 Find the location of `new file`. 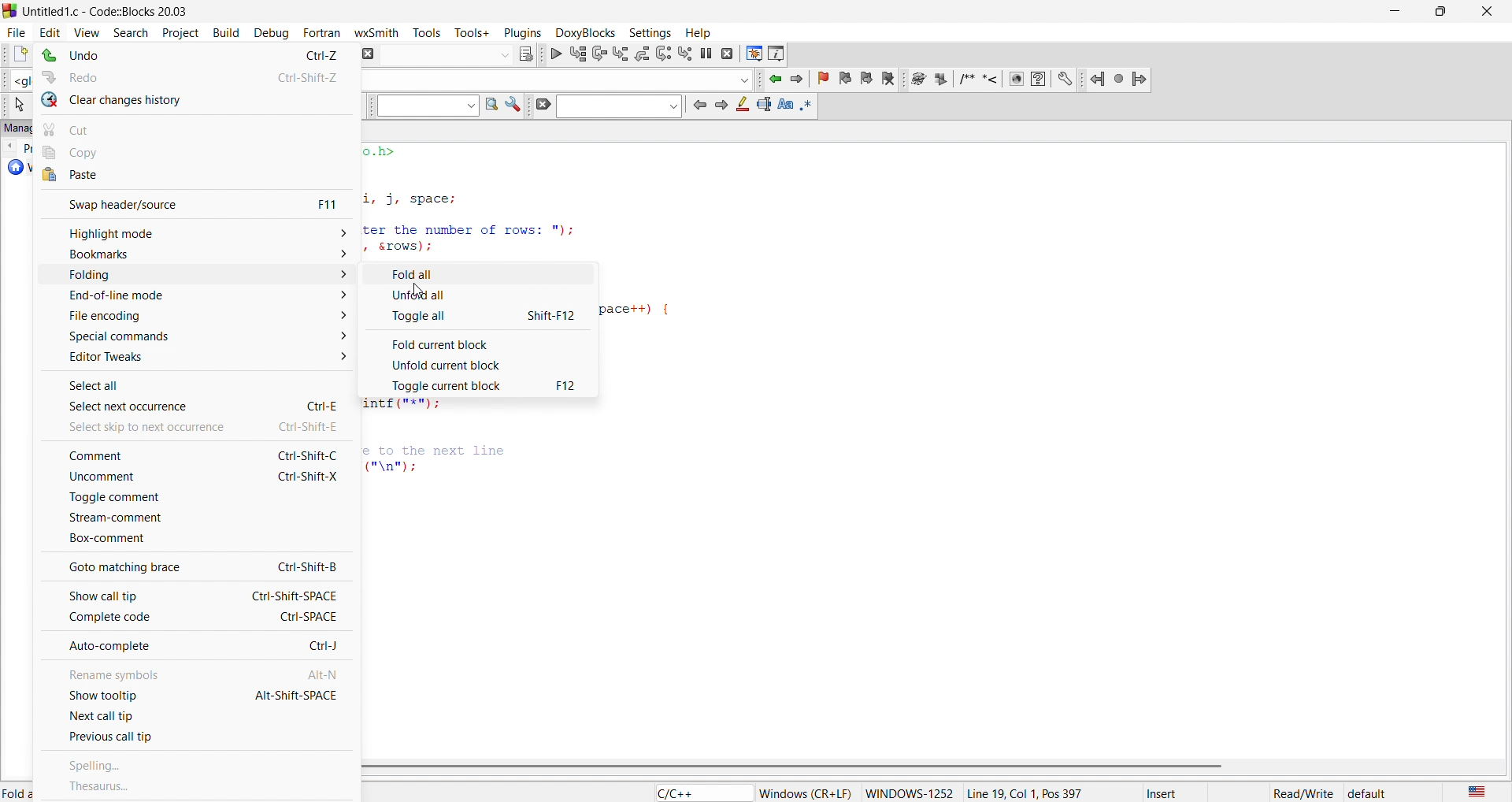

new file is located at coordinates (14, 55).